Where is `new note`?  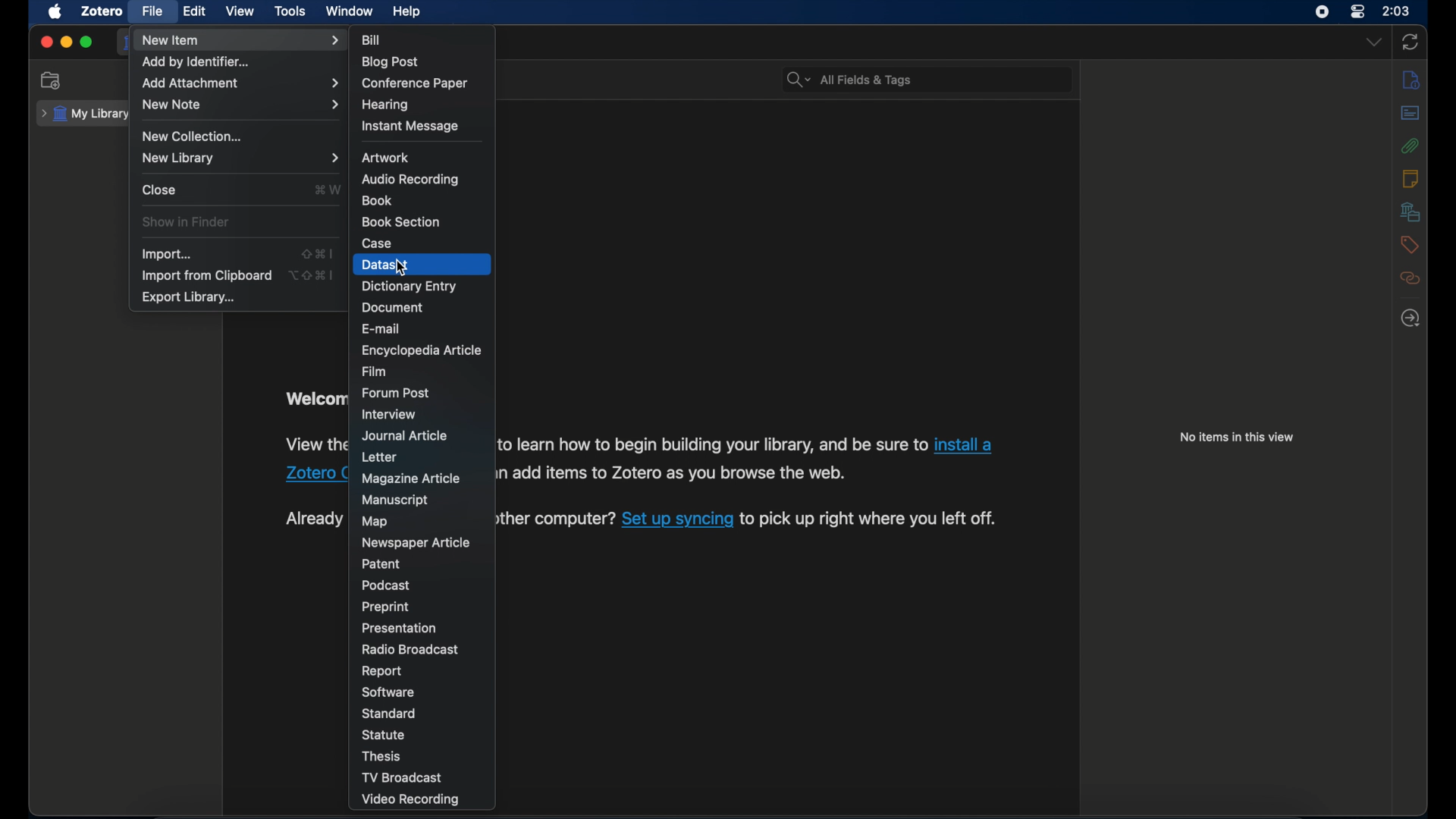 new note is located at coordinates (240, 104).